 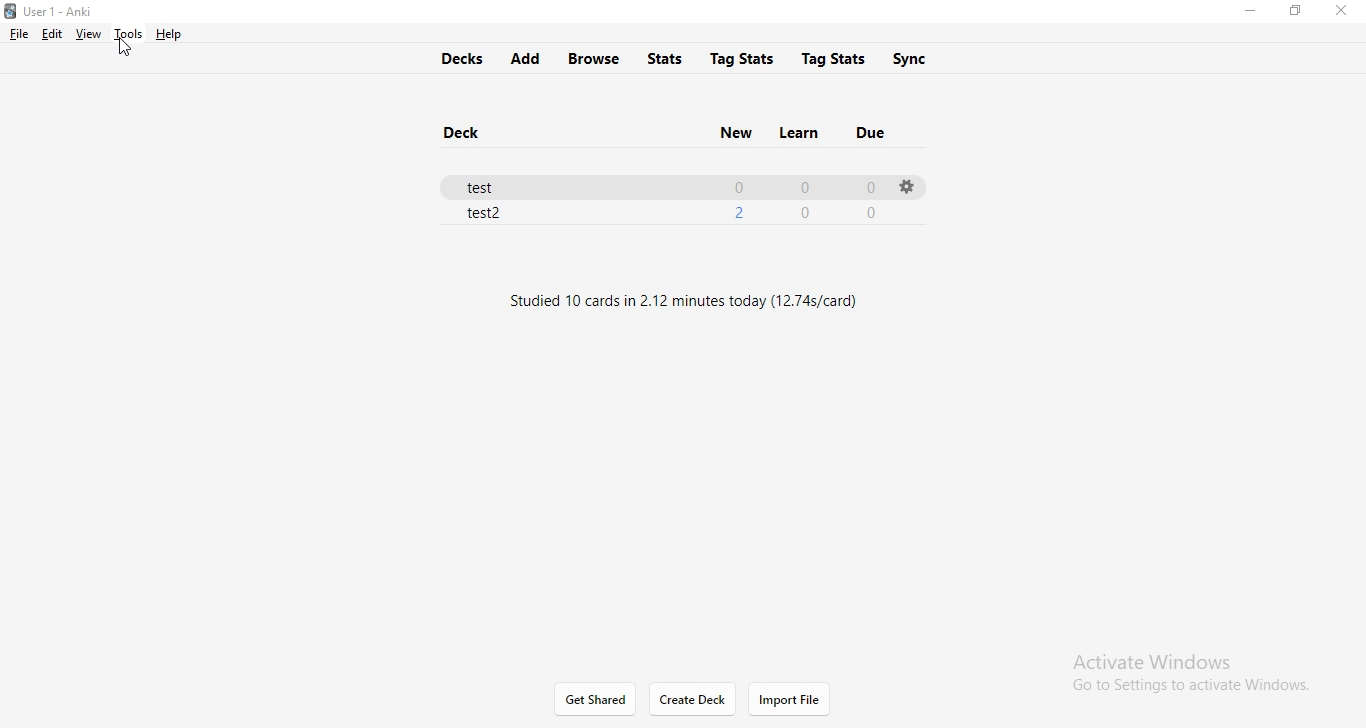 I want to click on text1, so click(x=683, y=315).